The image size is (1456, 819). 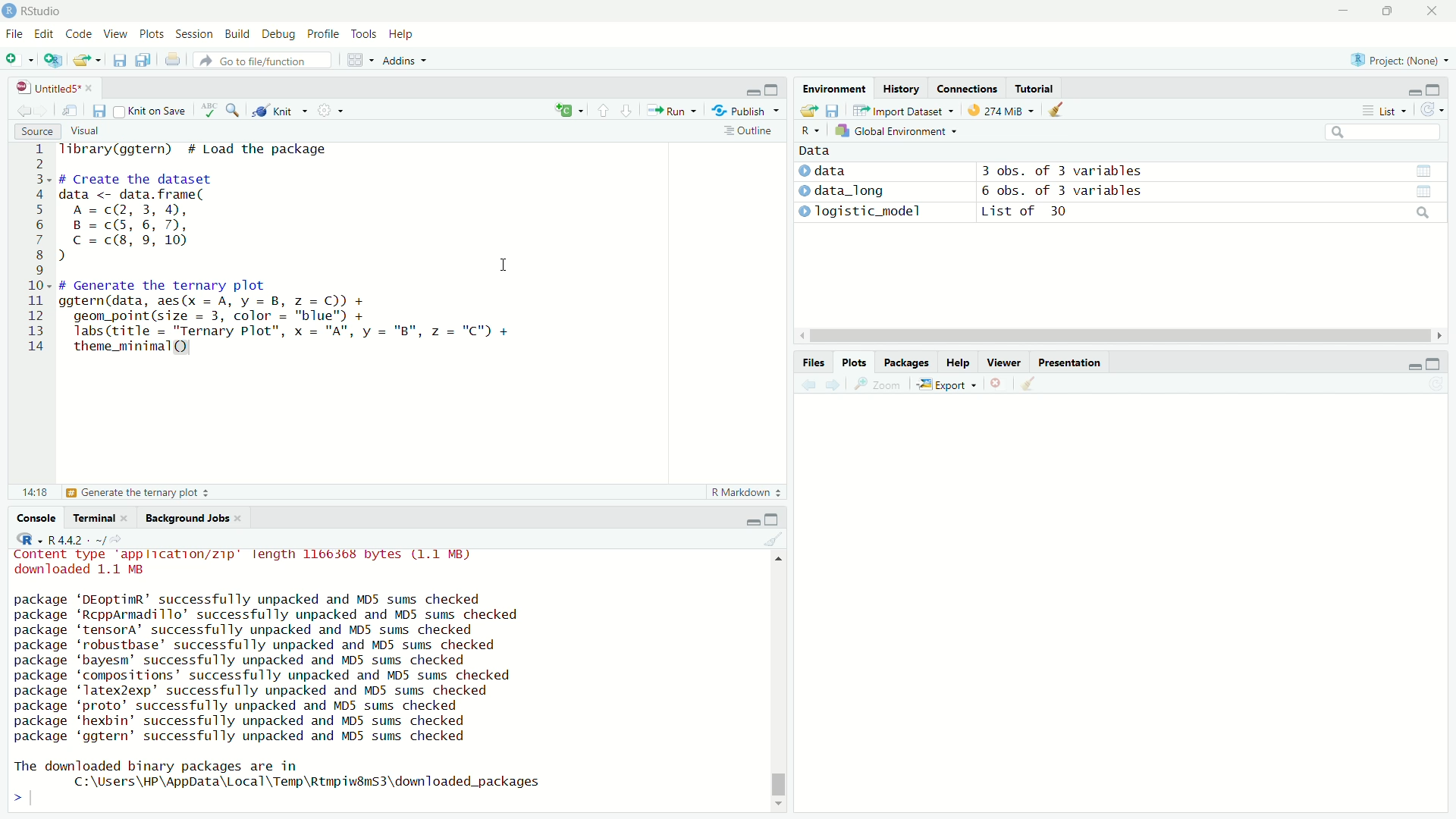 What do you see at coordinates (83, 130) in the screenshot?
I see `Visual` at bounding box center [83, 130].